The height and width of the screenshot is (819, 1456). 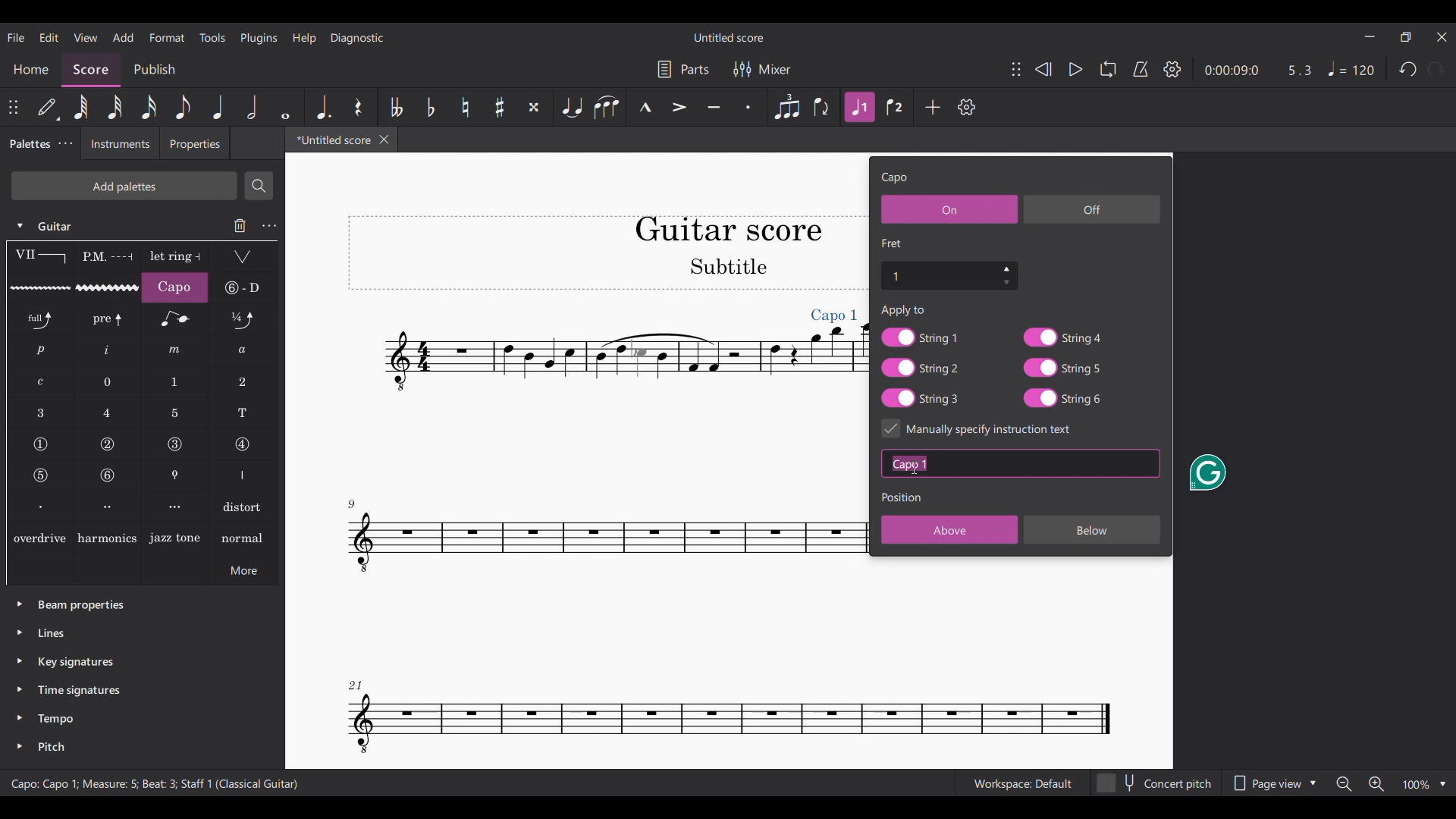 What do you see at coordinates (269, 226) in the screenshot?
I see `Guitar settings` at bounding box center [269, 226].